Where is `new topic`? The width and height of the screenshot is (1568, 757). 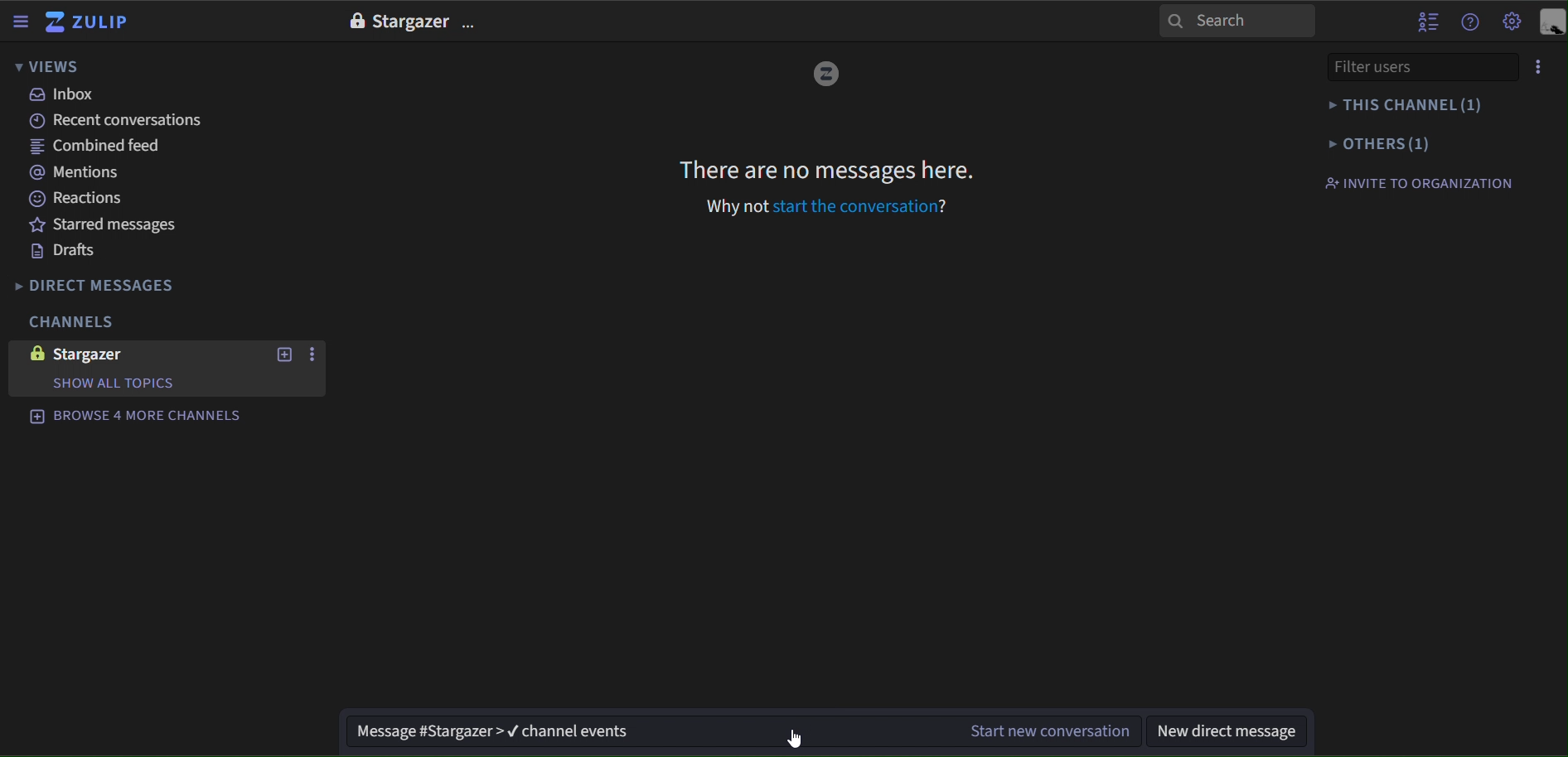
new topic is located at coordinates (283, 354).